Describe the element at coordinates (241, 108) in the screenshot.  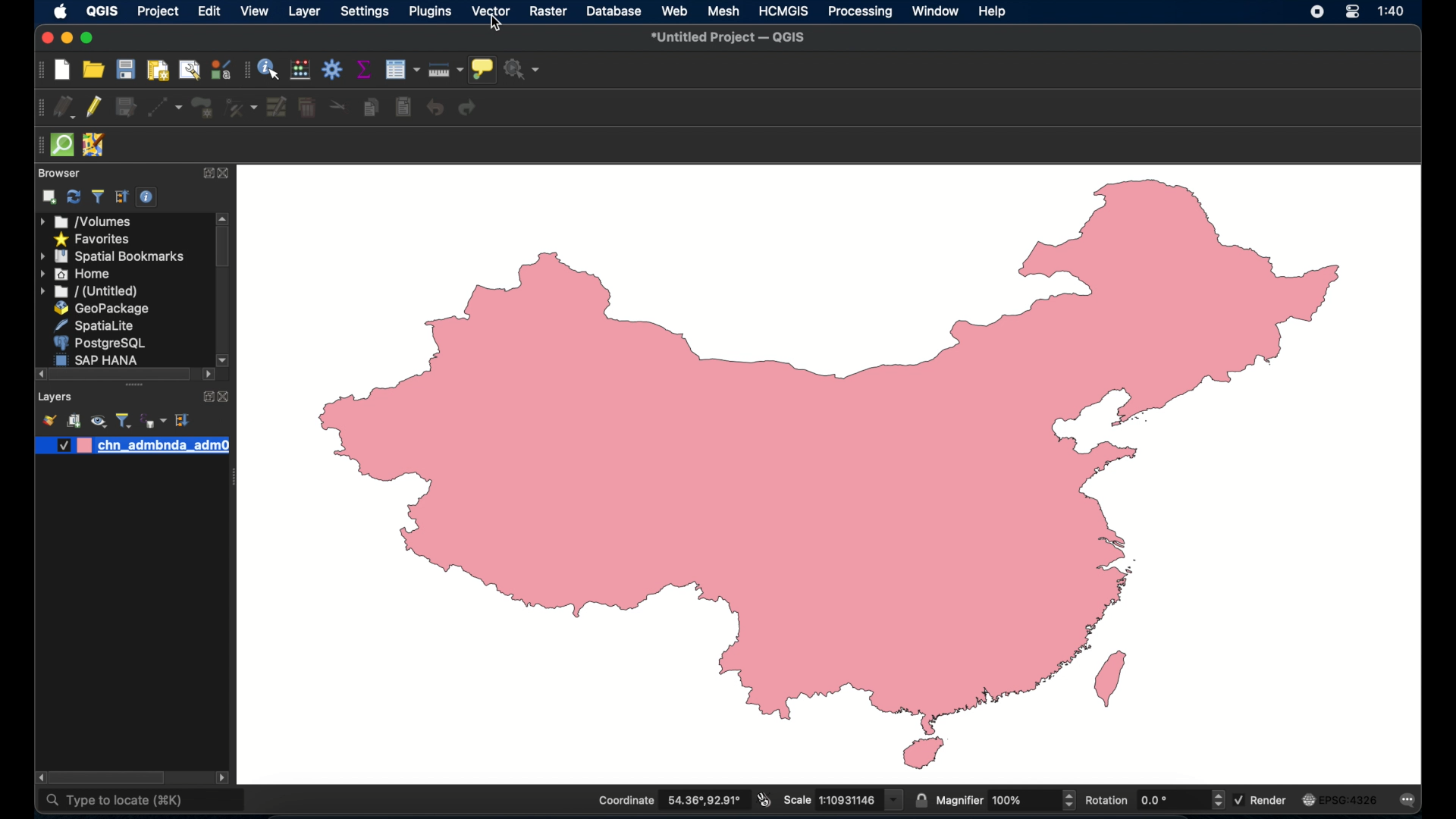
I see `vertex tool` at that location.